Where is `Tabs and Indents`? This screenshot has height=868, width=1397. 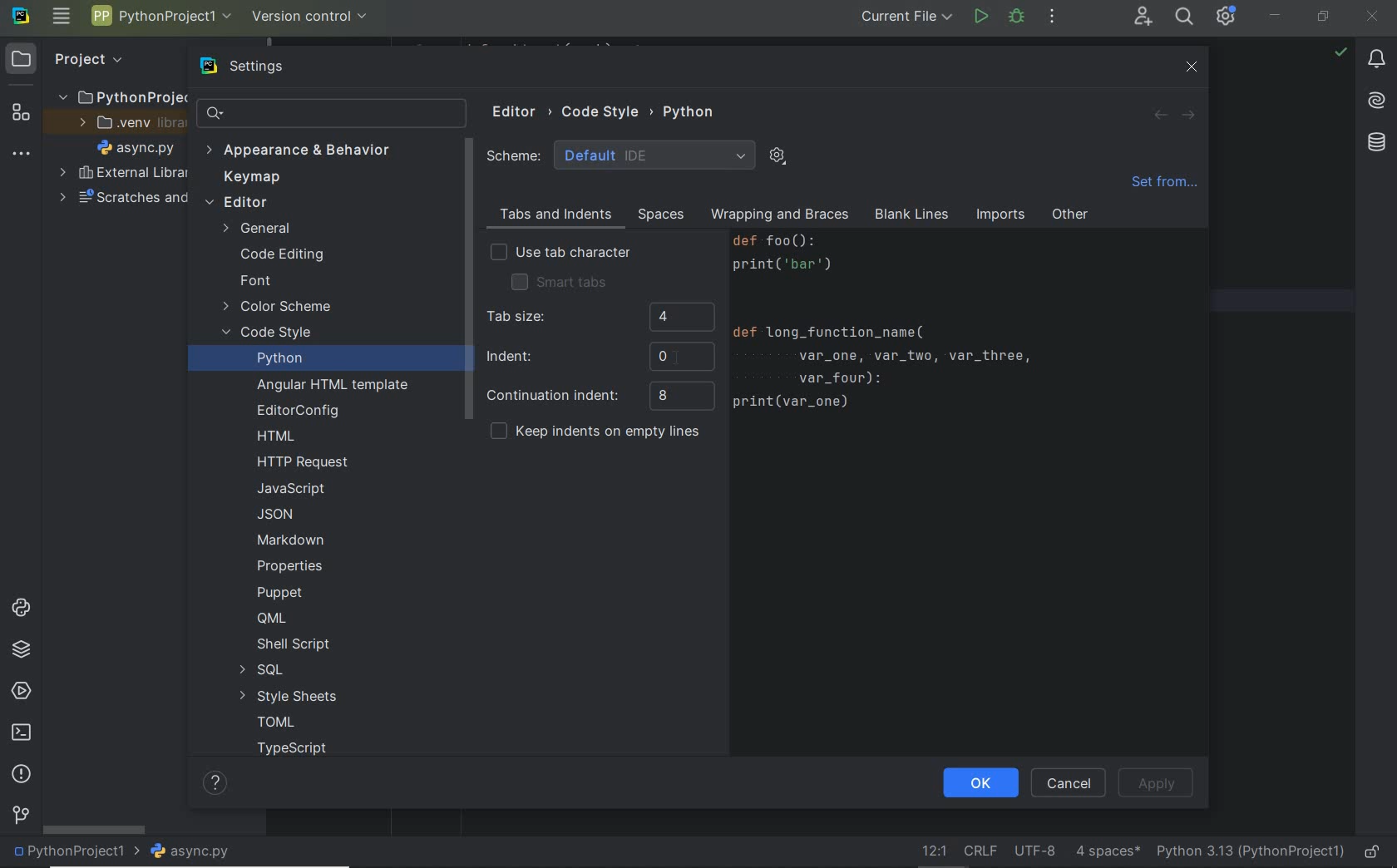
Tabs and Indents is located at coordinates (554, 215).